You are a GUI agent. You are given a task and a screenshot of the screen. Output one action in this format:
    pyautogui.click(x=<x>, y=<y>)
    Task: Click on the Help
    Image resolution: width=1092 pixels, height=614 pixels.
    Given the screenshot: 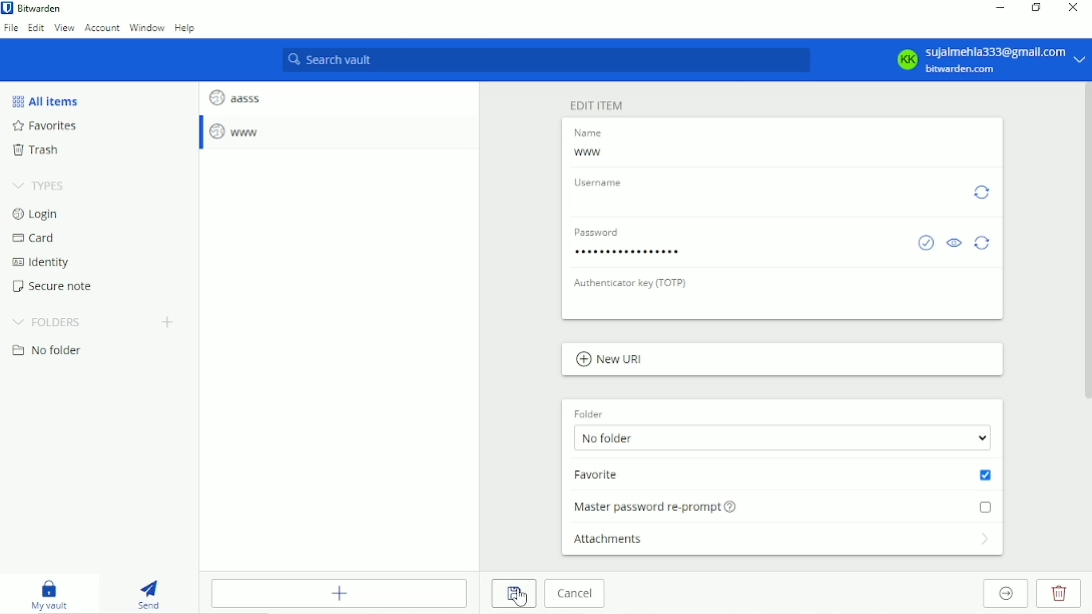 What is the action you would take?
    pyautogui.click(x=187, y=30)
    